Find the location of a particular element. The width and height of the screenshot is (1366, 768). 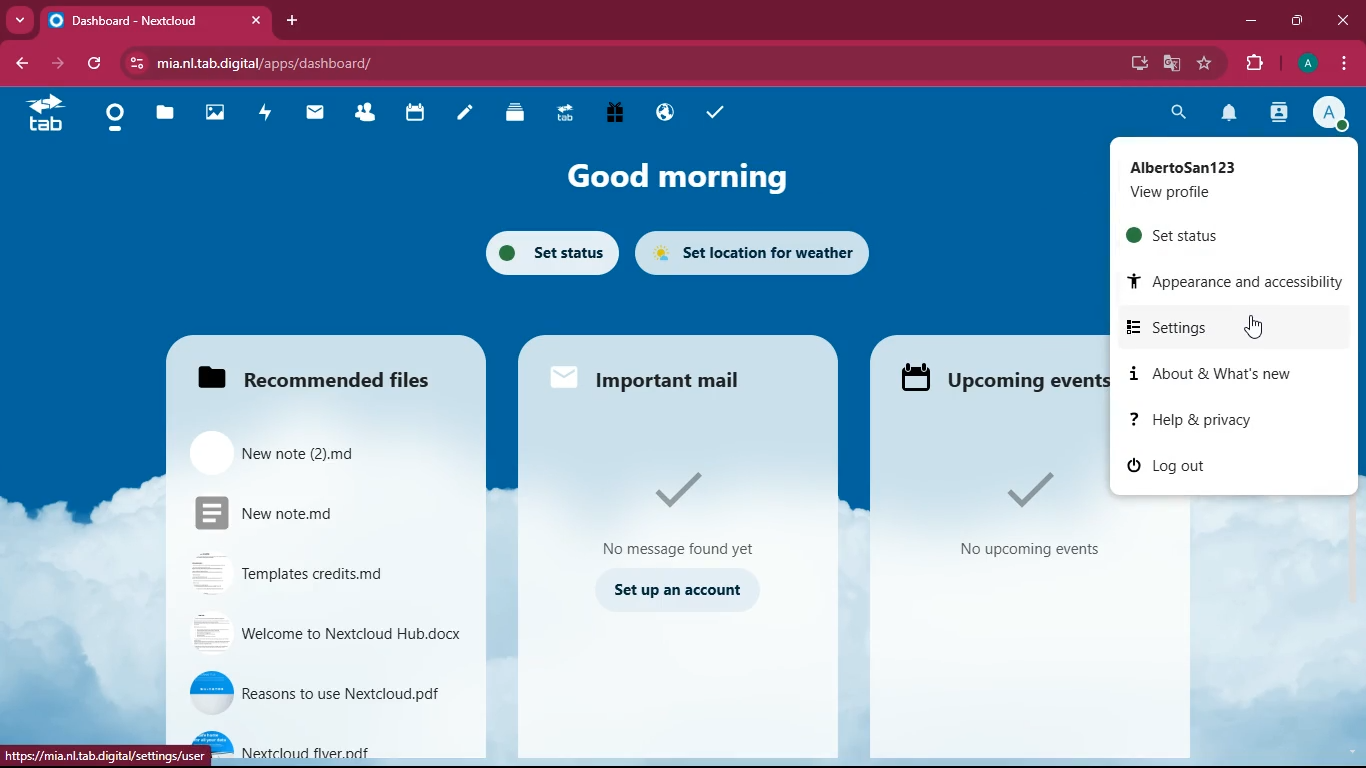

Deck is located at coordinates (511, 114).